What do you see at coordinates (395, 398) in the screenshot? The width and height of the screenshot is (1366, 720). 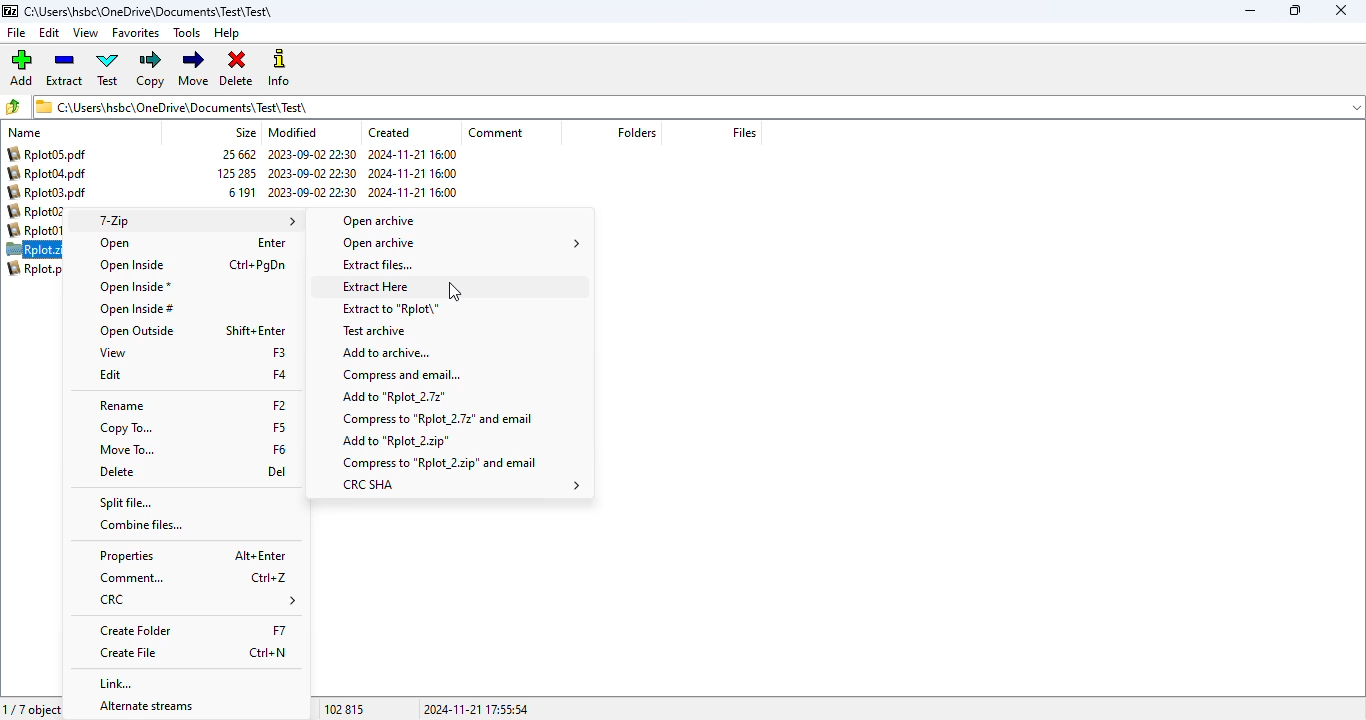 I see `add to "Rplot_2.7z"` at bounding box center [395, 398].